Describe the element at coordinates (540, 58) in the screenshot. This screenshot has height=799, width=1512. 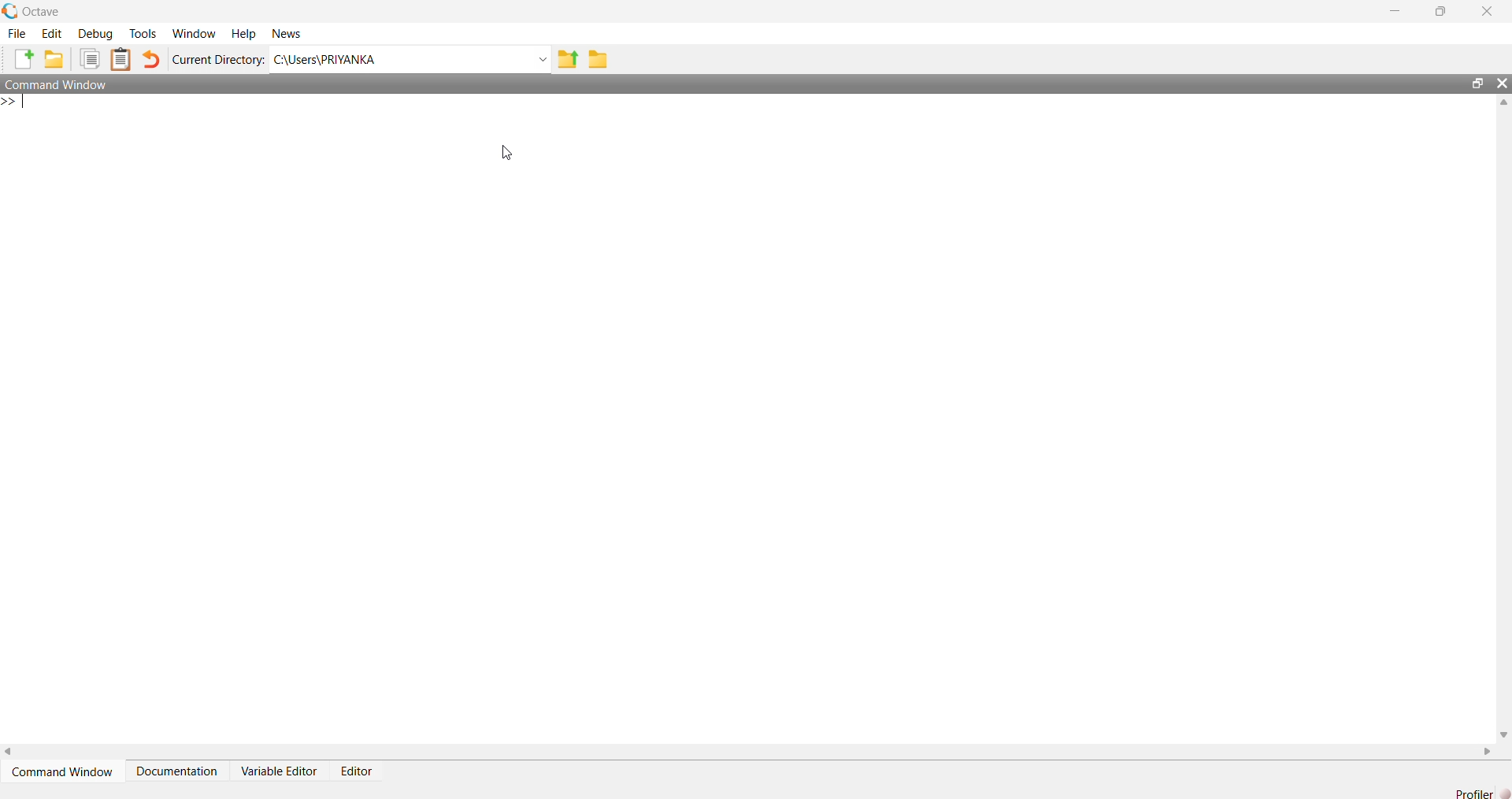
I see `Dropdown` at that location.